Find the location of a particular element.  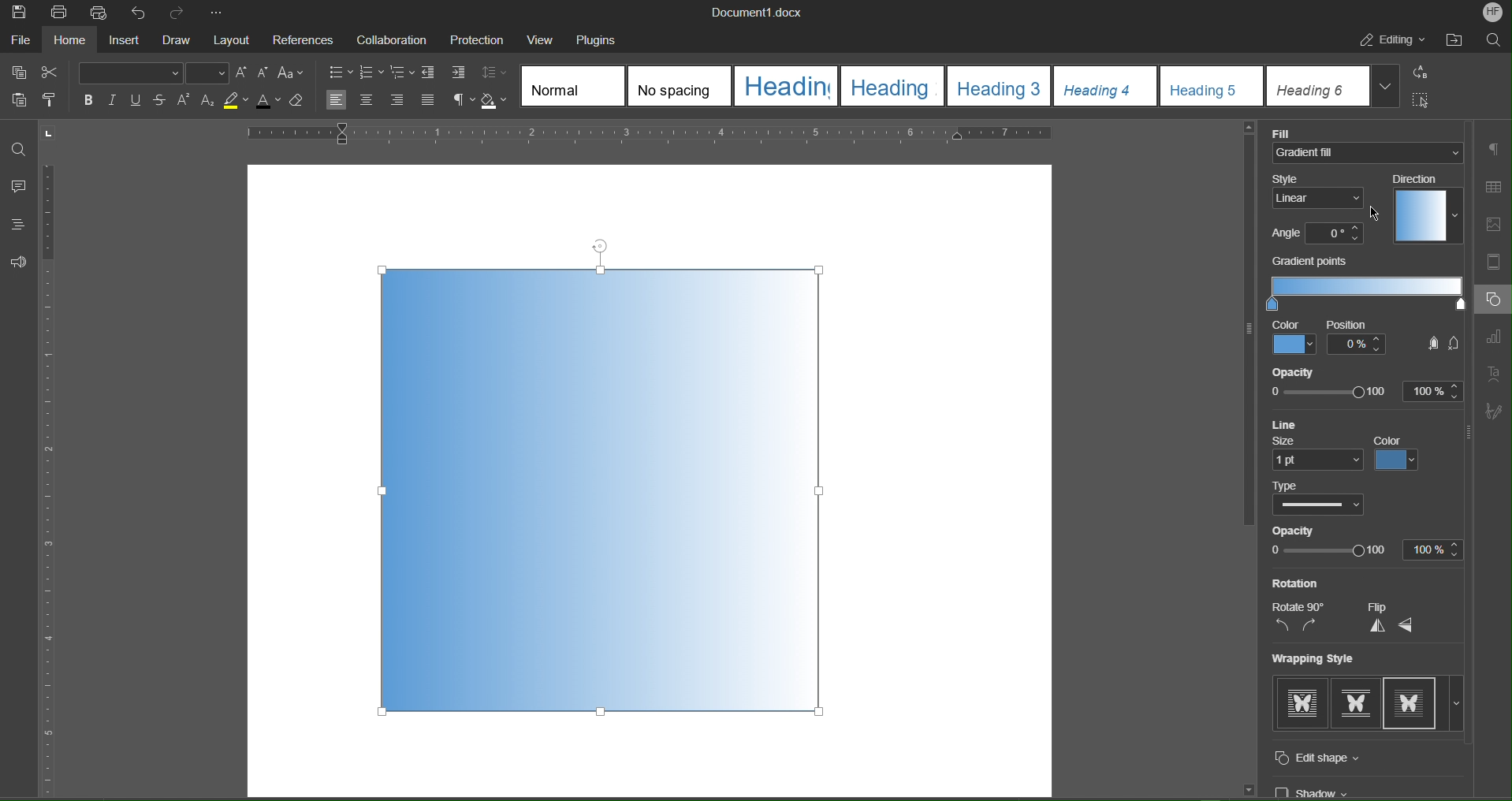

Edit shape is located at coordinates (1337, 756).